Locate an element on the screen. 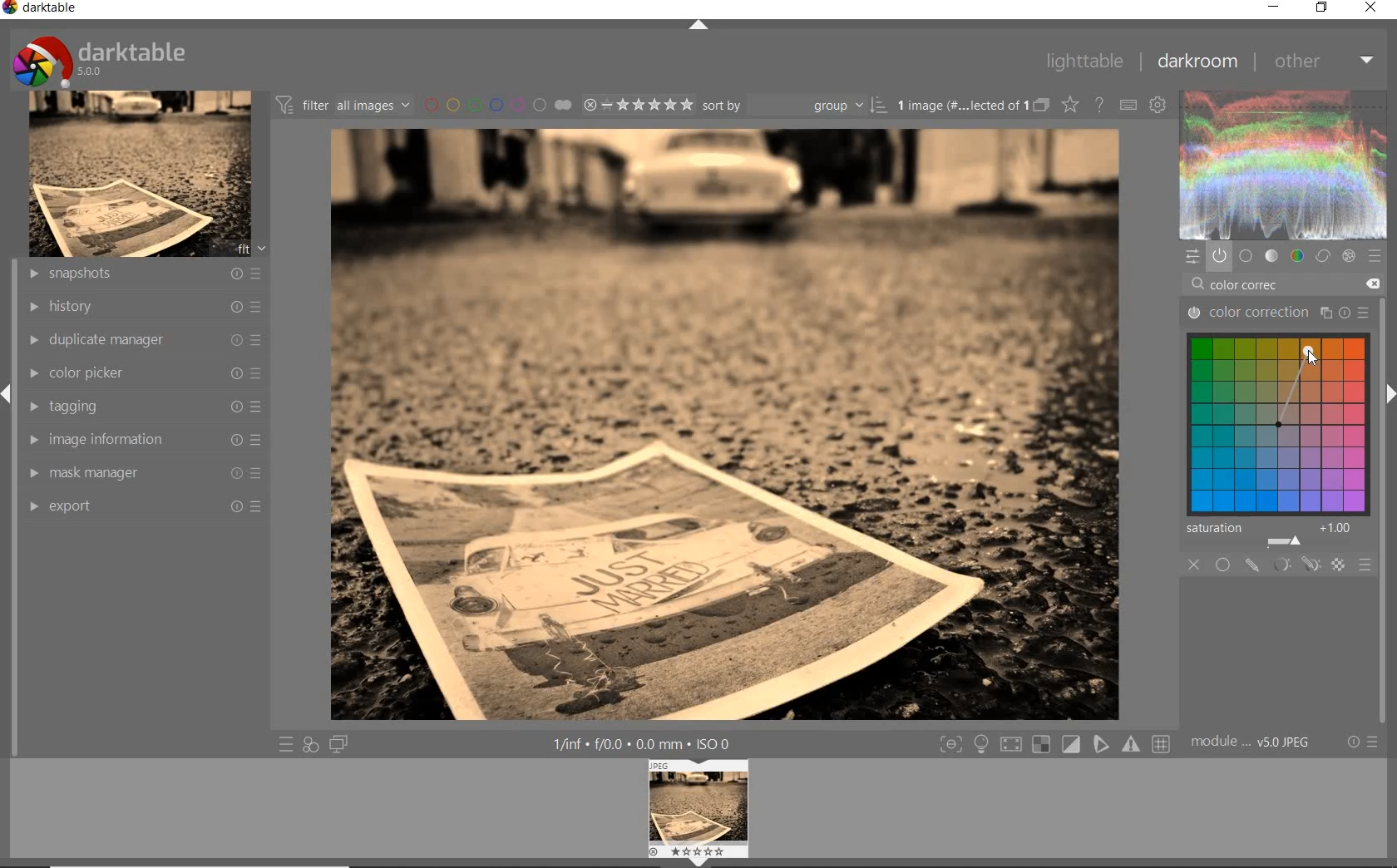  expand/collapse is located at coordinates (8, 395).